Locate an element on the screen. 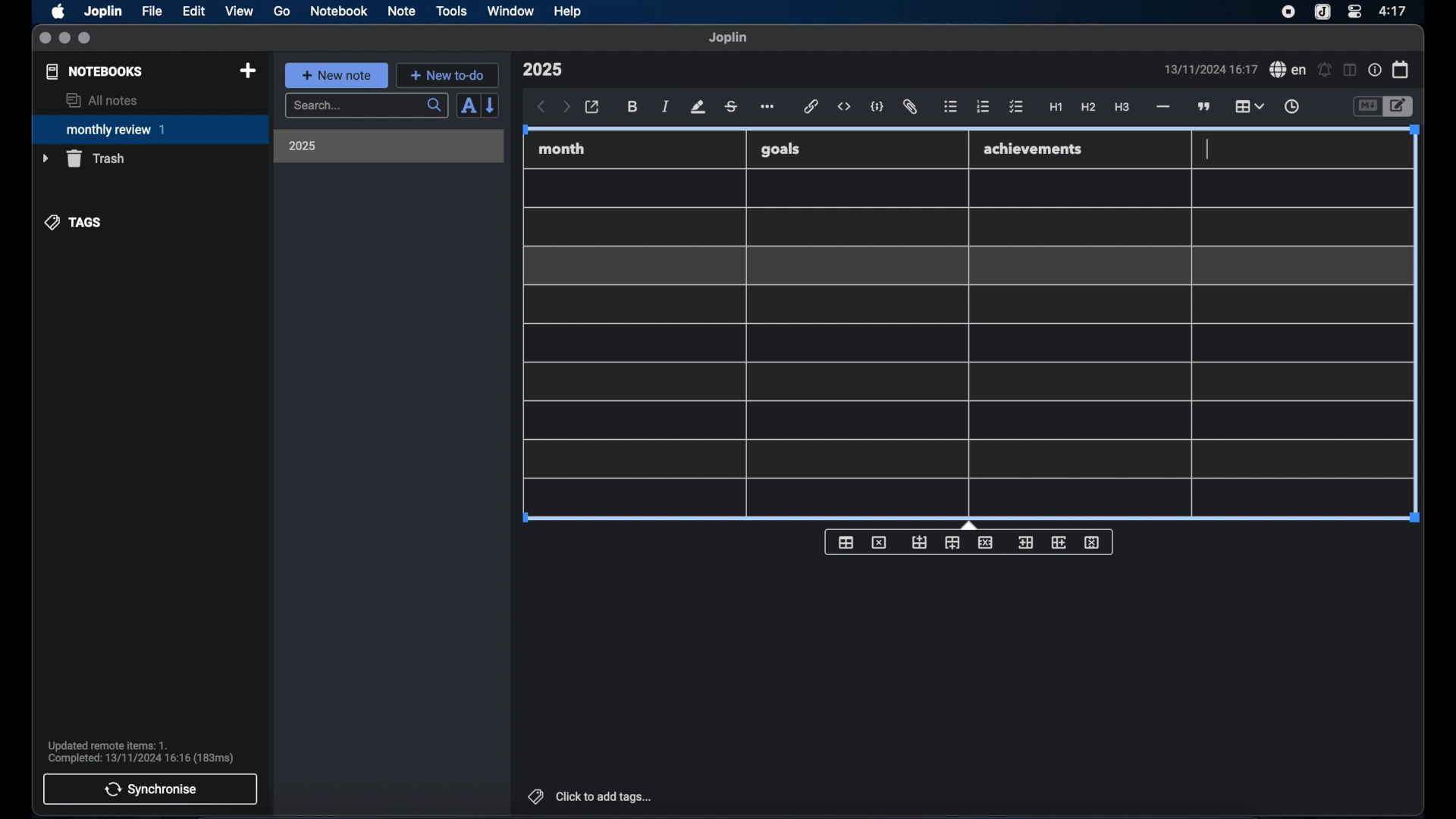 Image resolution: width=1456 pixels, height=819 pixels. 2025 is located at coordinates (303, 146).